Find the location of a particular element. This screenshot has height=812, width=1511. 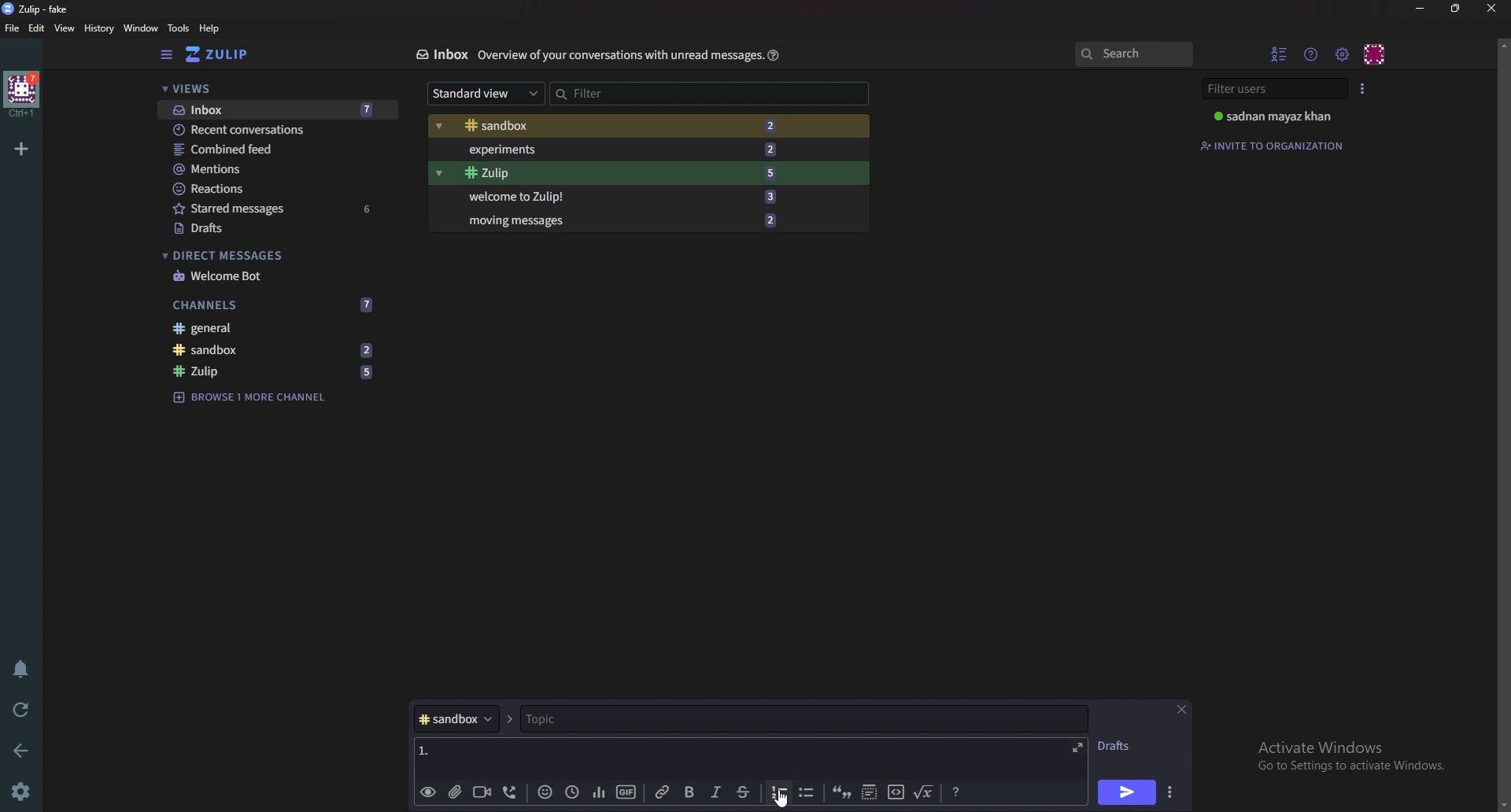

Info is located at coordinates (616, 56).